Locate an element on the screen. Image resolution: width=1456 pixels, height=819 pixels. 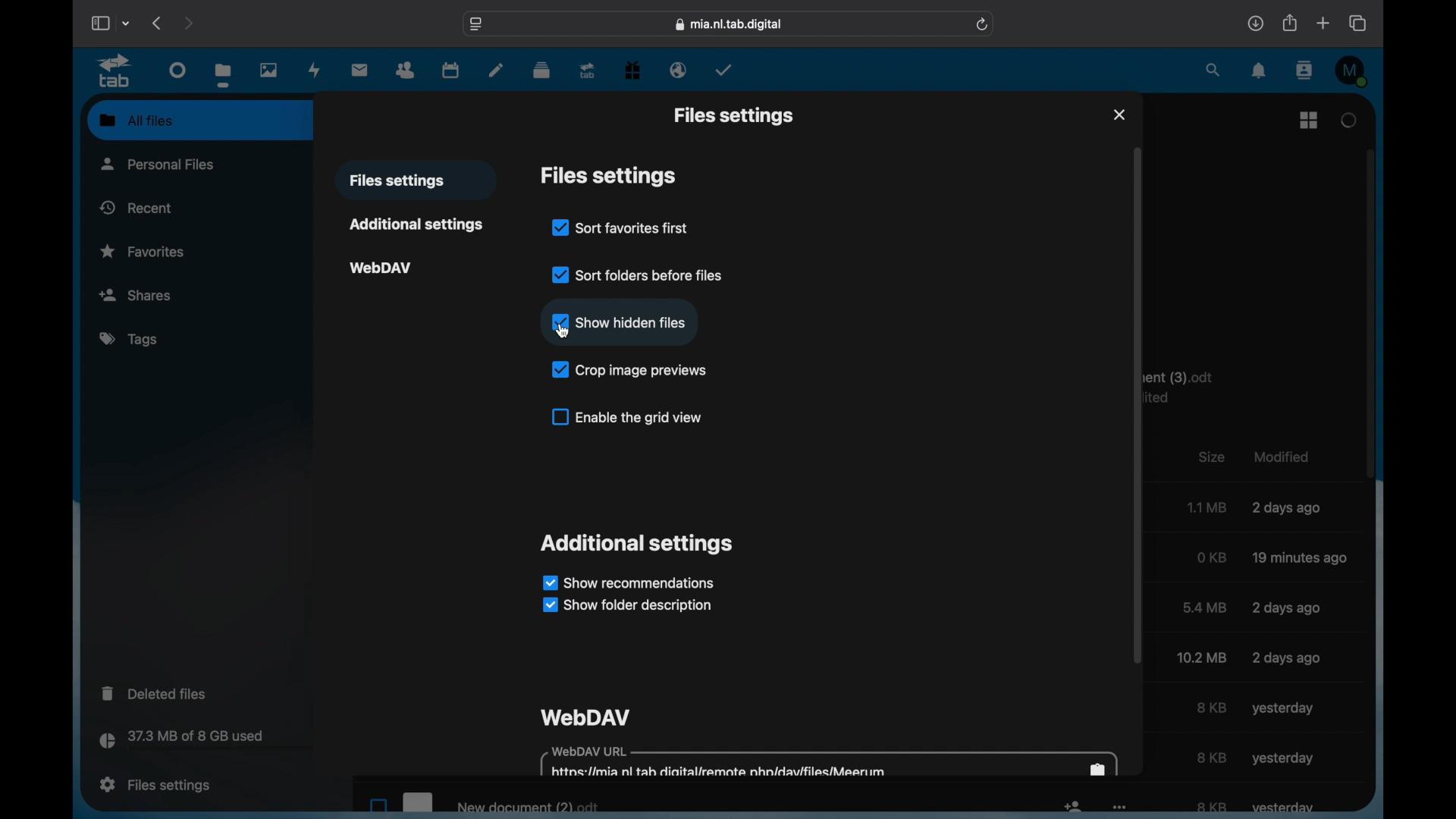
email is located at coordinates (678, 71).